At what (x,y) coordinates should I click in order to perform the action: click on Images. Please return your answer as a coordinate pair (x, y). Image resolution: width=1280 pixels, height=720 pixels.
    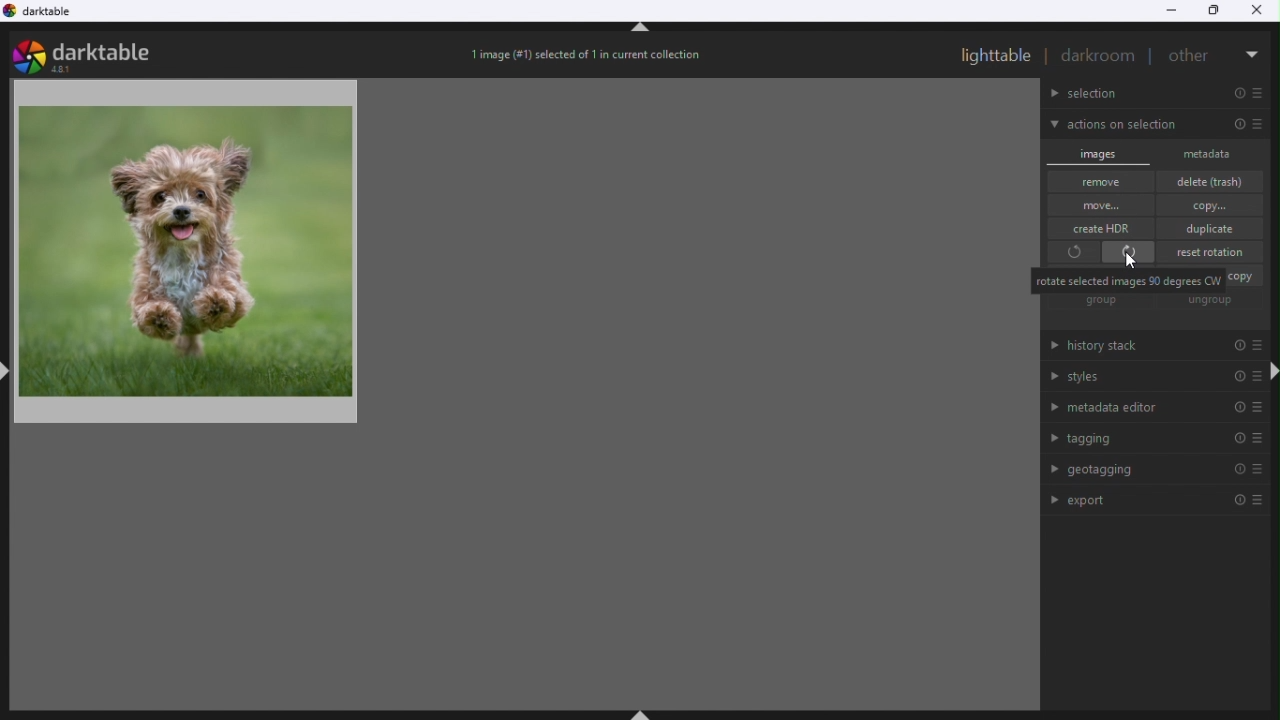
    Looking at the image, I should click on (1101, 152).